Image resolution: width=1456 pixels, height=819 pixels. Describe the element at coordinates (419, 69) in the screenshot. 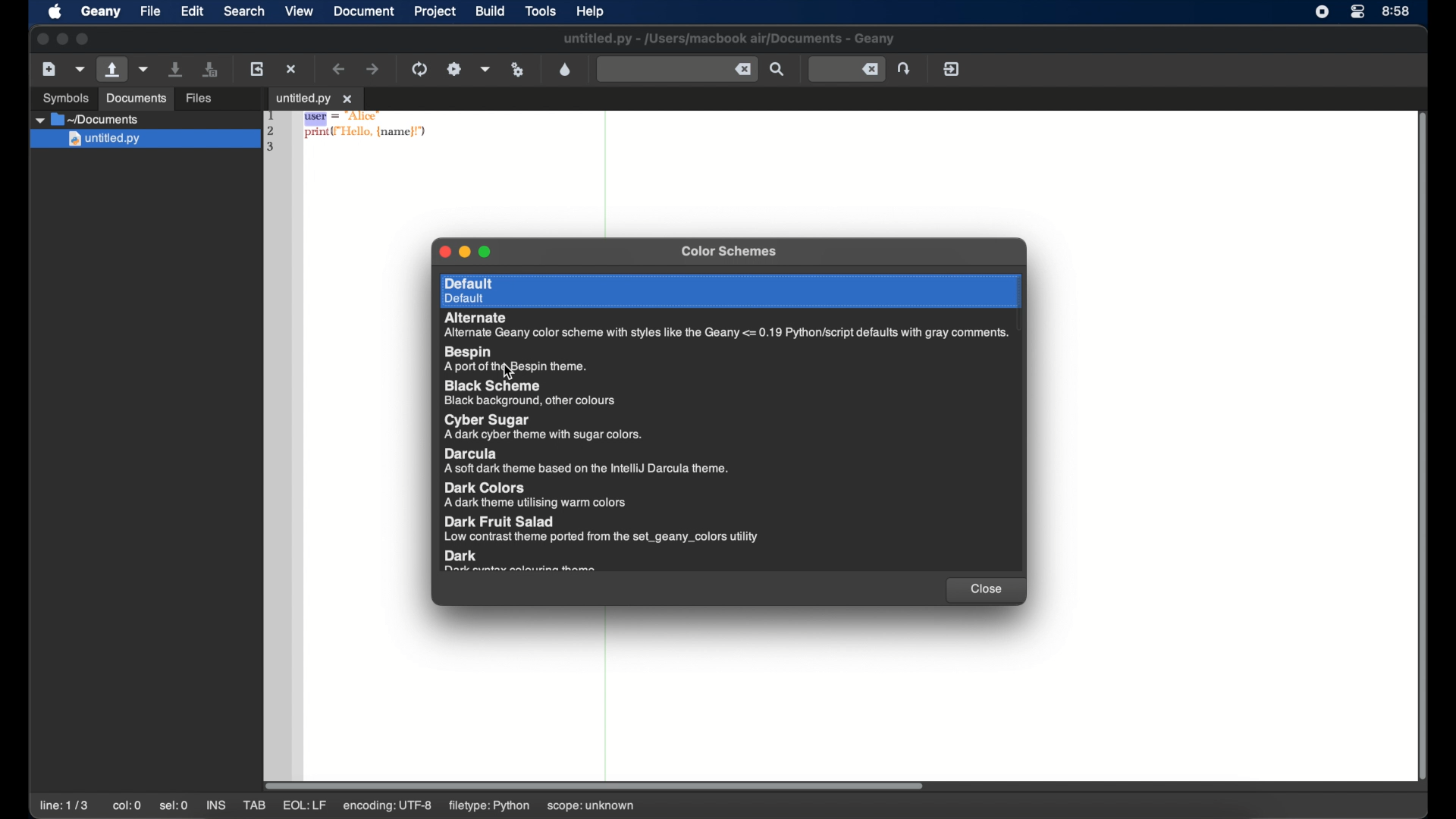

I see `compile the current file` at that location.